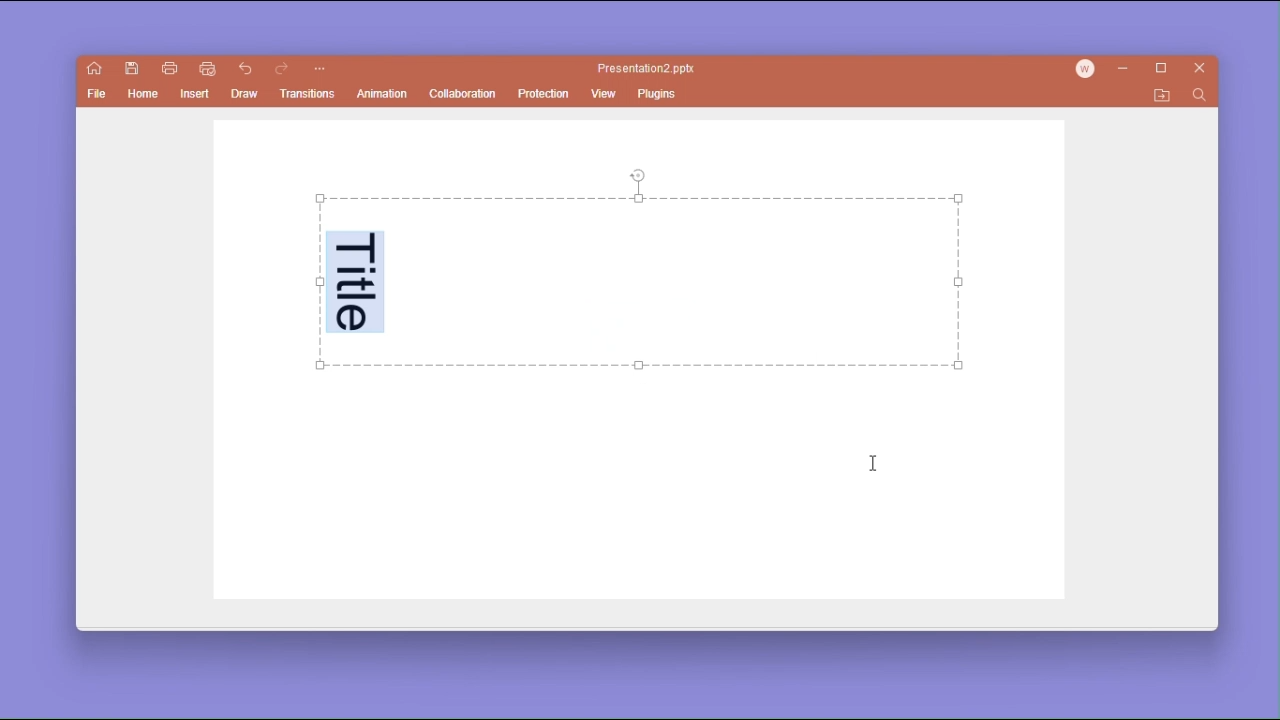  What do you see at coordinates (133, 69) in the screenshot?
I see `save` at bounding box center [133, 69].